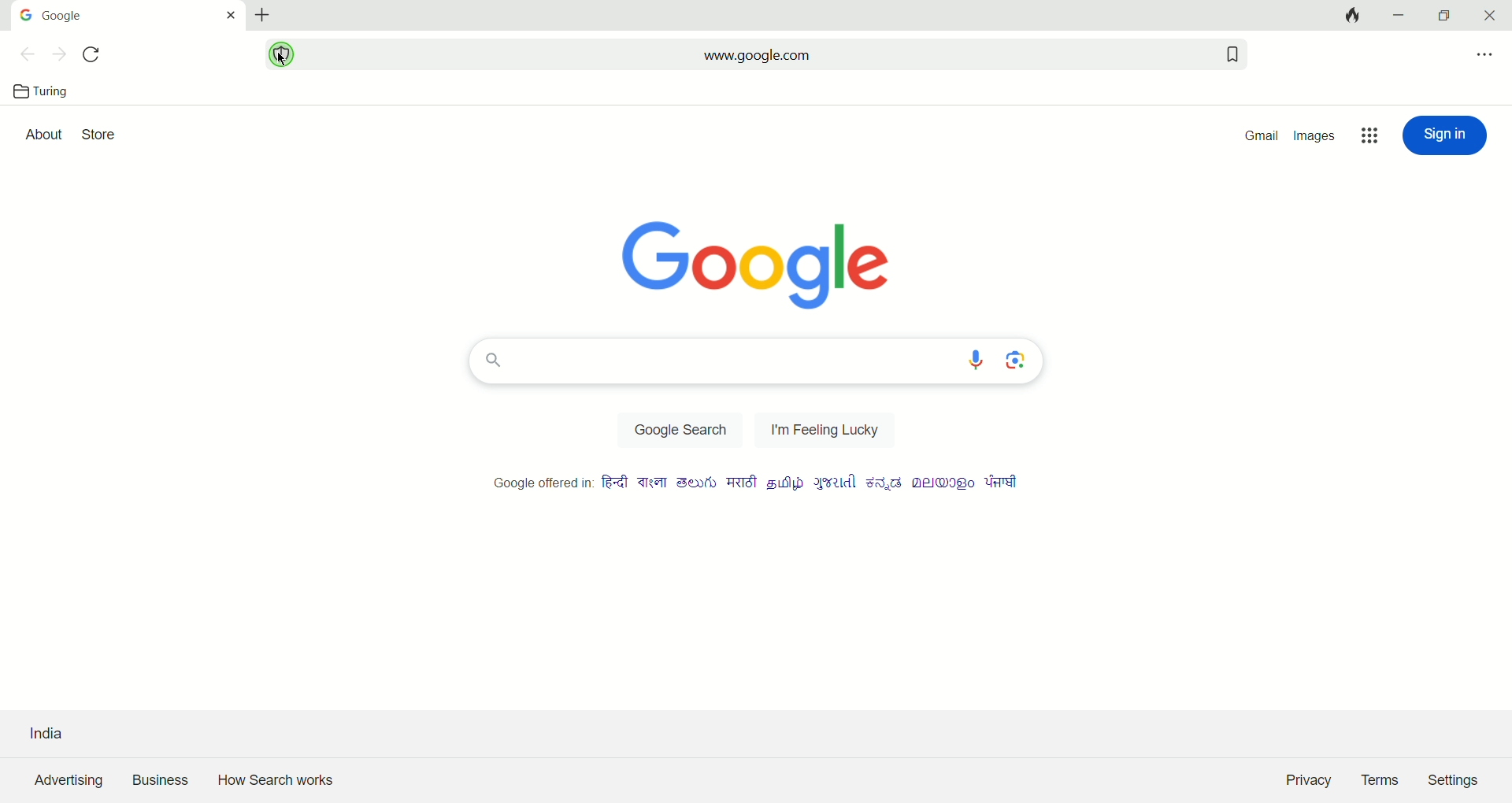  What do you see at coordinates (698, 483) in the screenshot?
I see `language` at bounding box center [698, 483].